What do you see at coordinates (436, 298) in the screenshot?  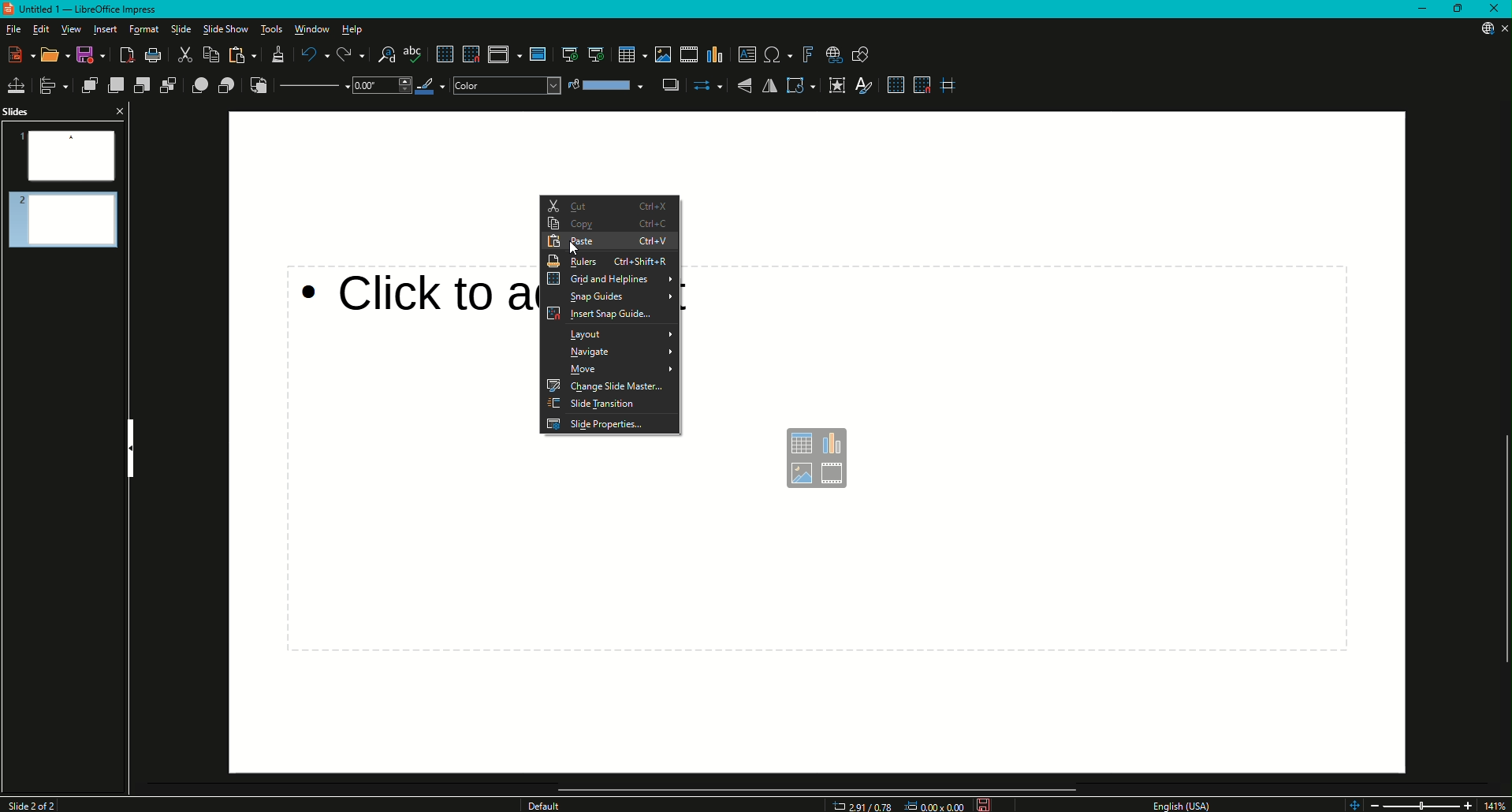 I see `Click to add text` at bounding box center [436, 298].